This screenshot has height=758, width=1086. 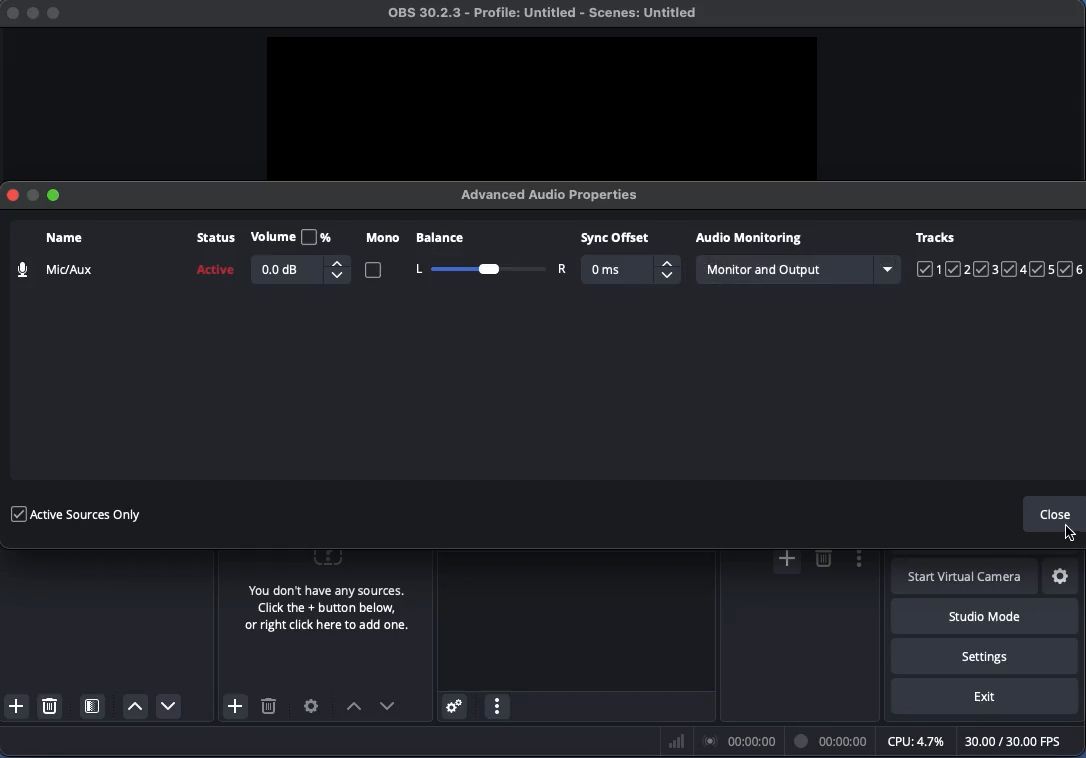 What do you see at coordinates (497, 707) in the screenshot?
I see `Audio mixer menu` at bounding box center [497, 707].